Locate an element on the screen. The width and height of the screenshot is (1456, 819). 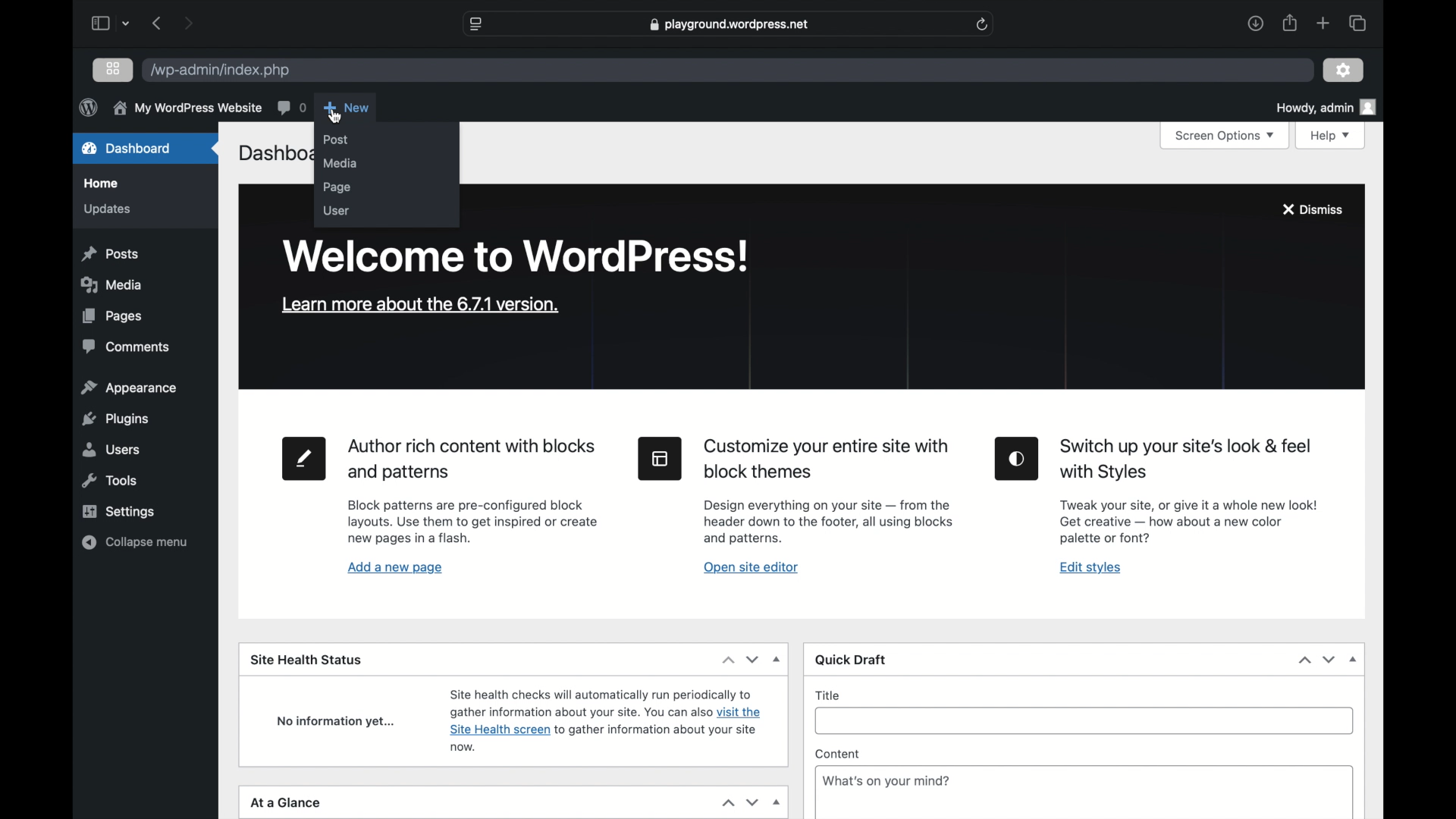
web address is located at coordinates (729, 25).